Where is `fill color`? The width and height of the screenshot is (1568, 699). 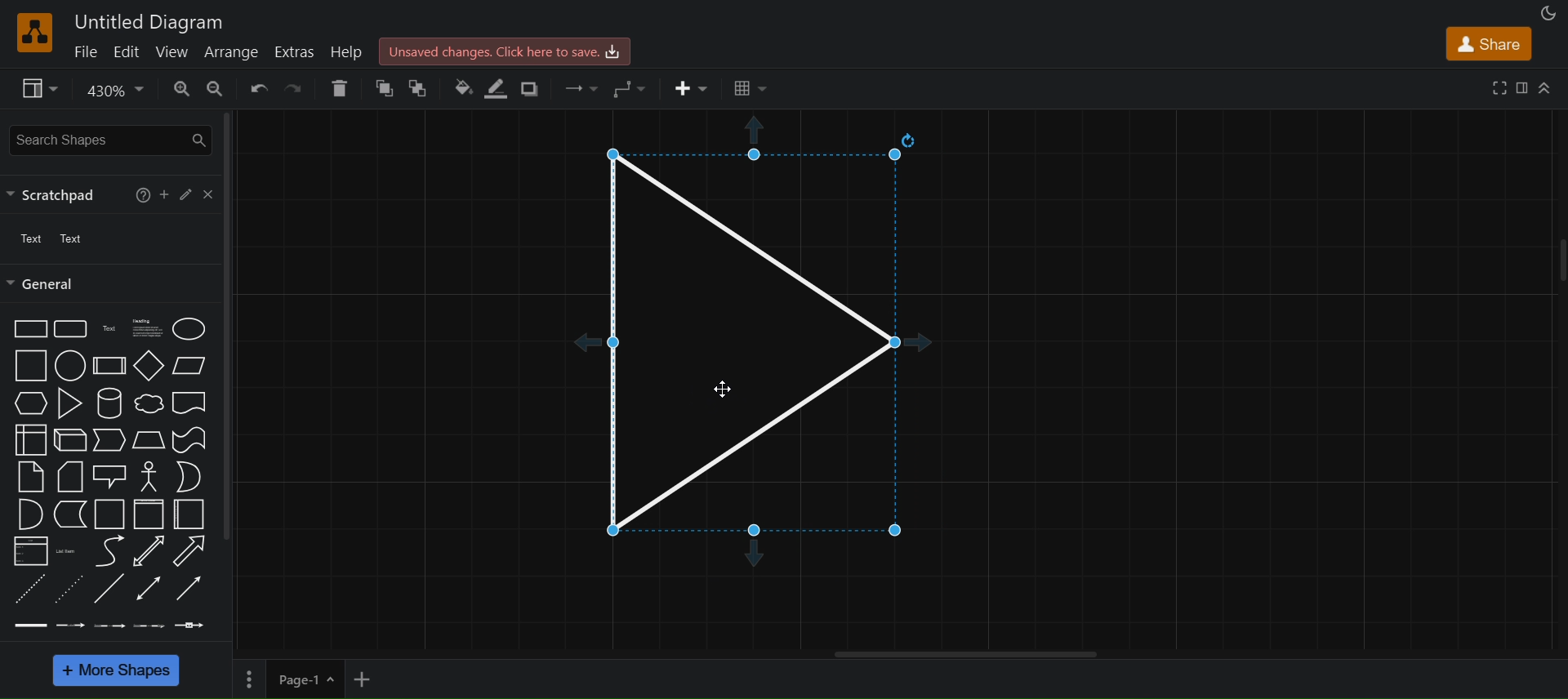 fill color is located at coordinates (461, 84).